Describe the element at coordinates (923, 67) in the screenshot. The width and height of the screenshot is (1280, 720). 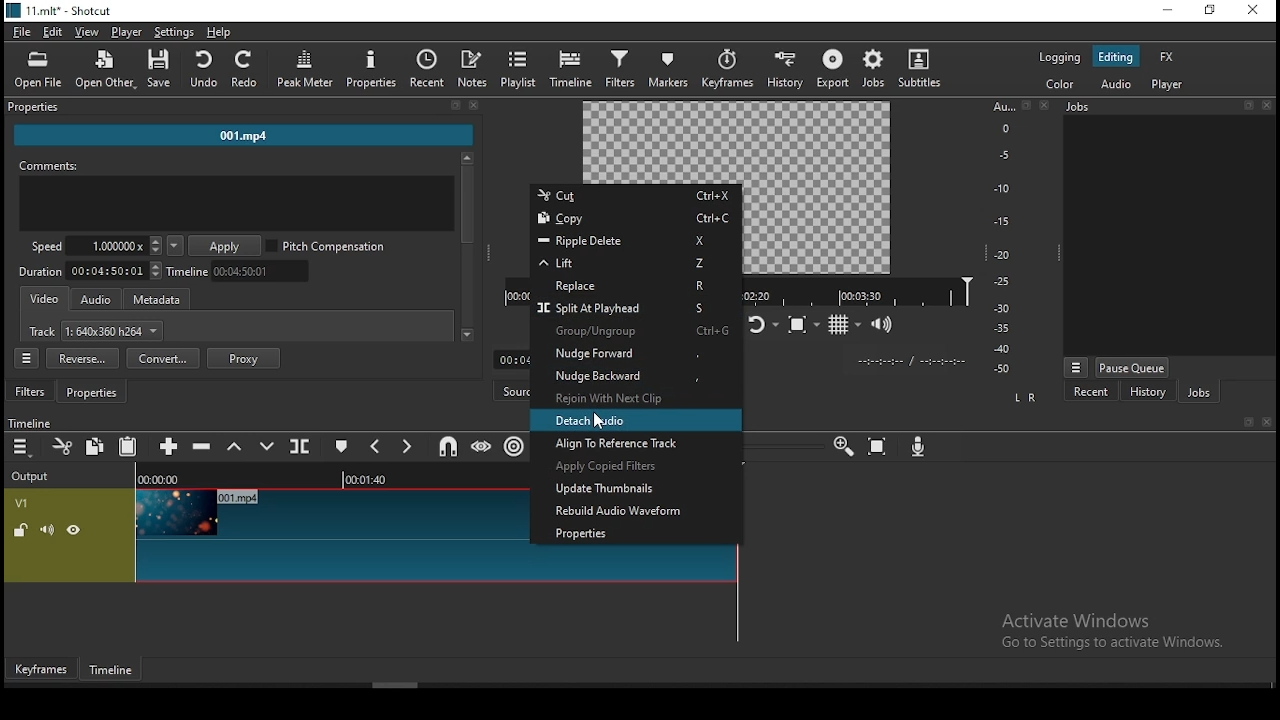
I see `subtitles` at that location.